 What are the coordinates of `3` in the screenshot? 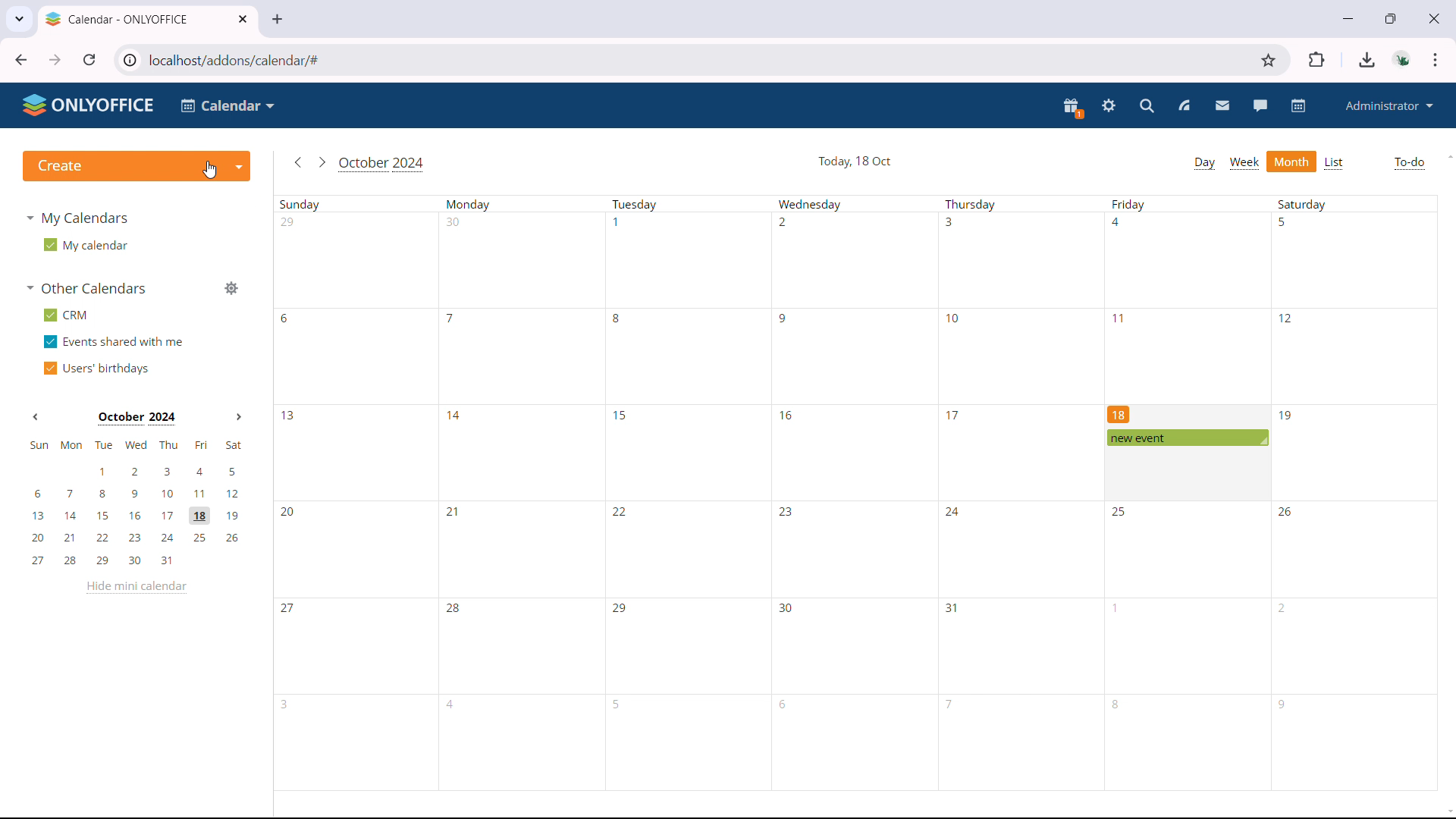 It's located at (949, 221).